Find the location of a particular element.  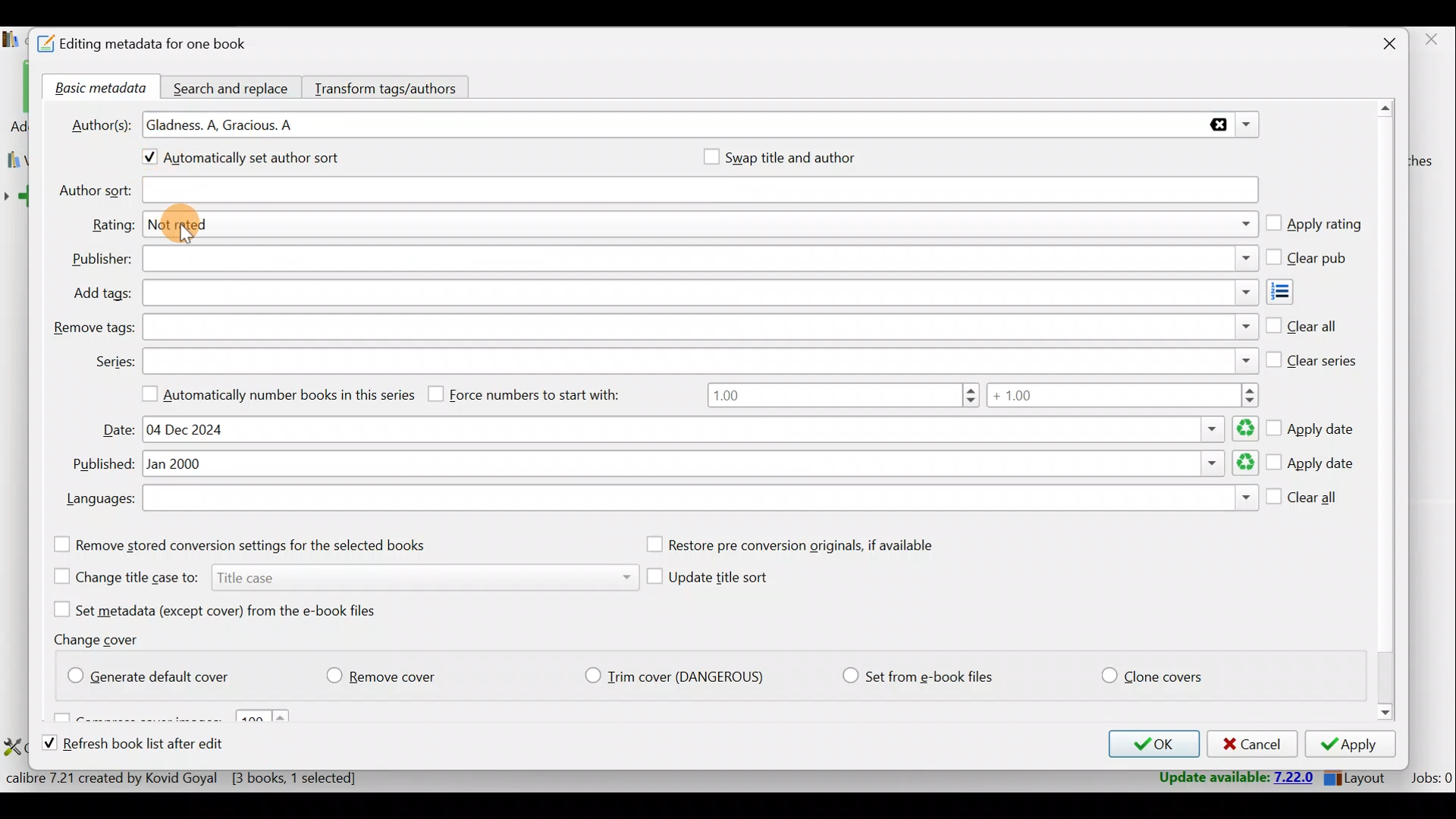

Rating: is located at coordinates (112, 225).